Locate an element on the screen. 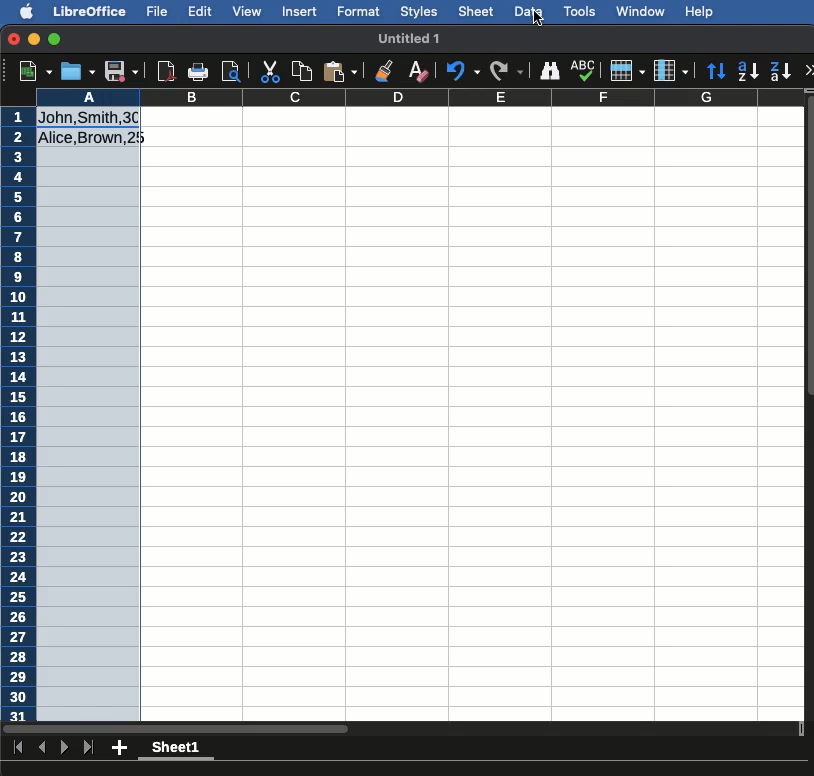 The width and height of the screenshot is (814, 776). cursor is located at coordinates (536, 20).